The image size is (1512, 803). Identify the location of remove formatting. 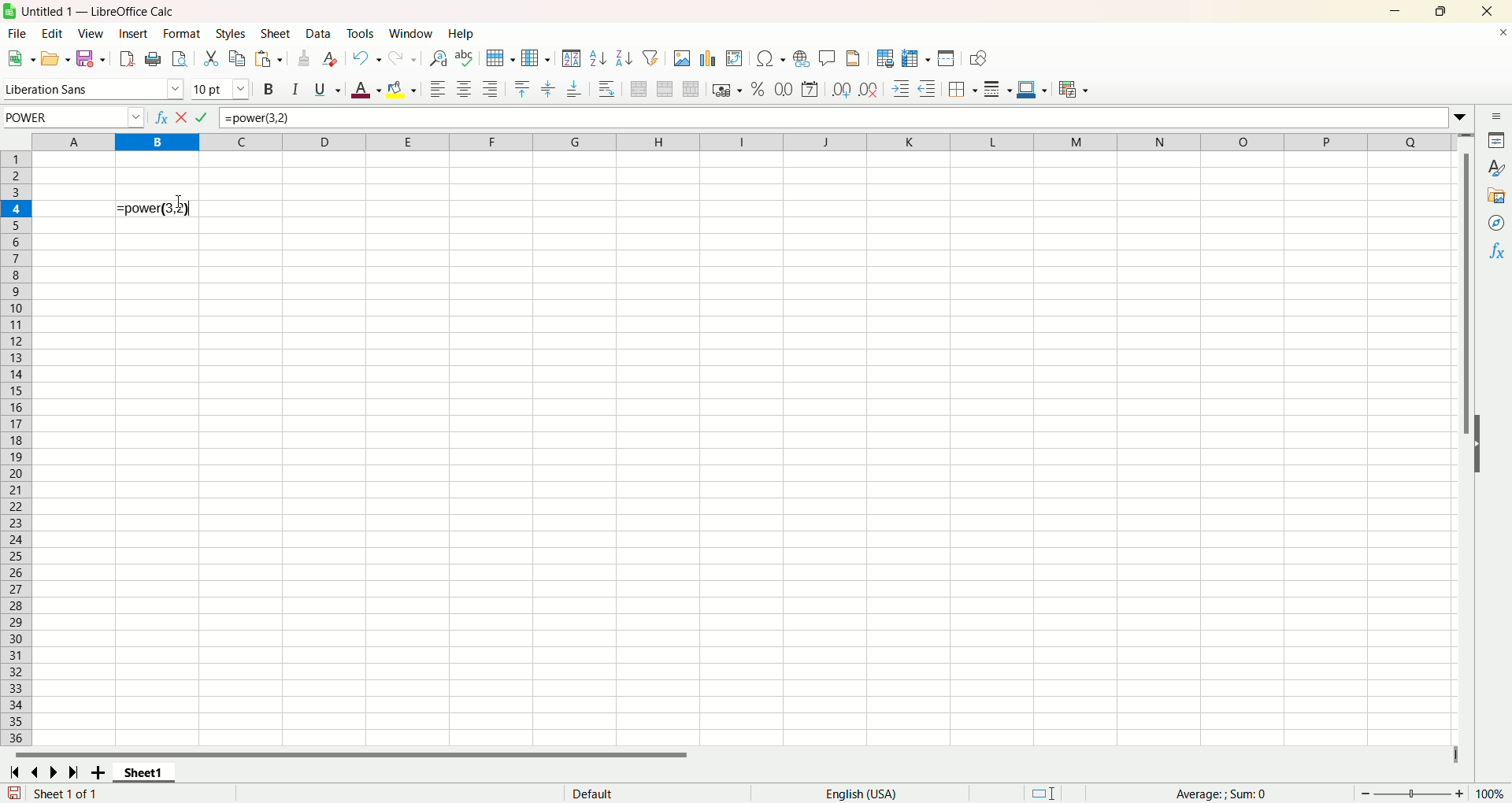
(333, 59).